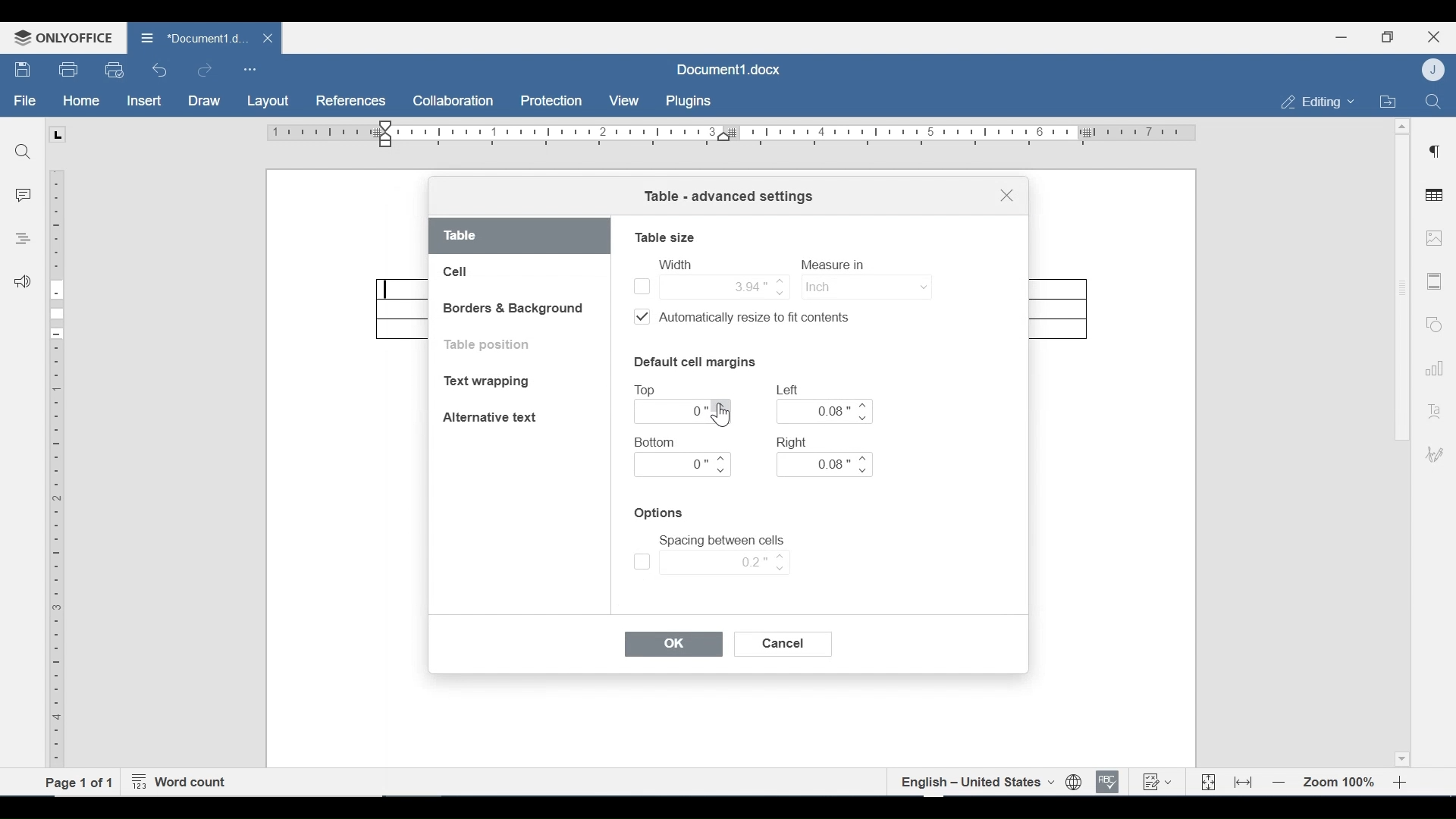 The width and height of the screenshot is (1456, 819). I want to click on 0.08, so click(826, 411).